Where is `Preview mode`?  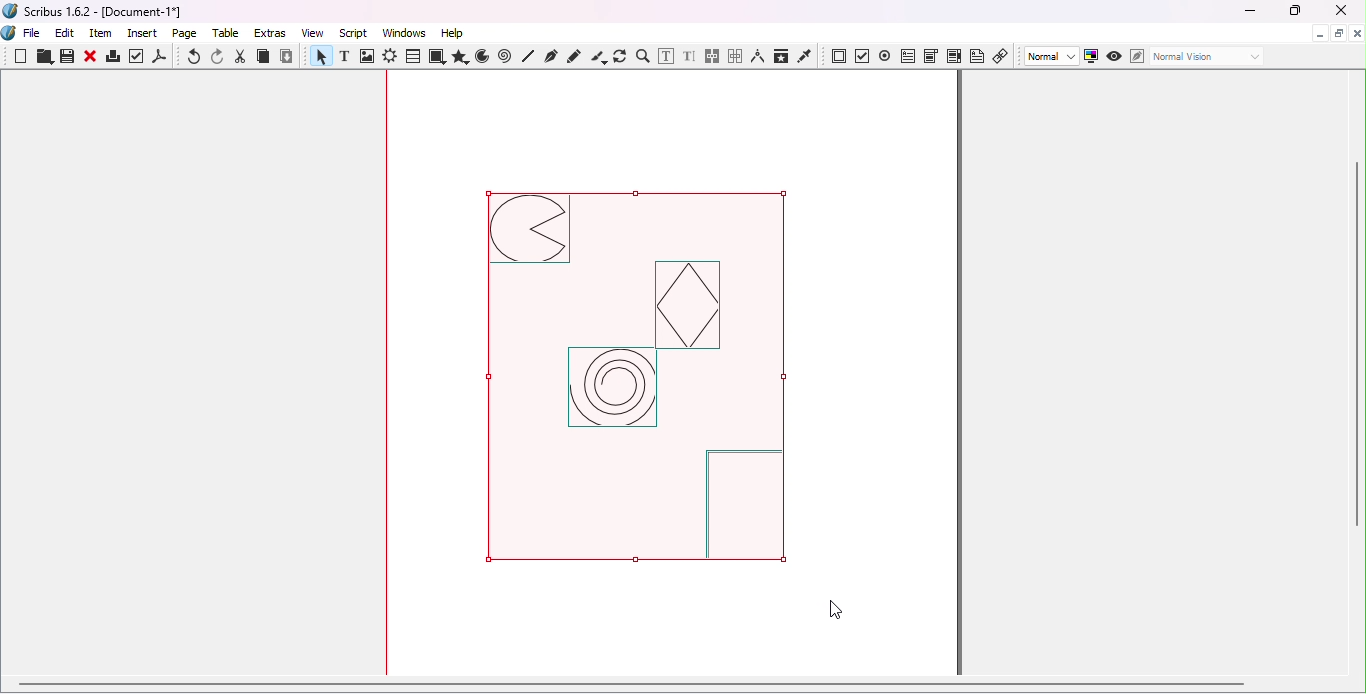 Preview mode is located at coordinates (1115, 57).